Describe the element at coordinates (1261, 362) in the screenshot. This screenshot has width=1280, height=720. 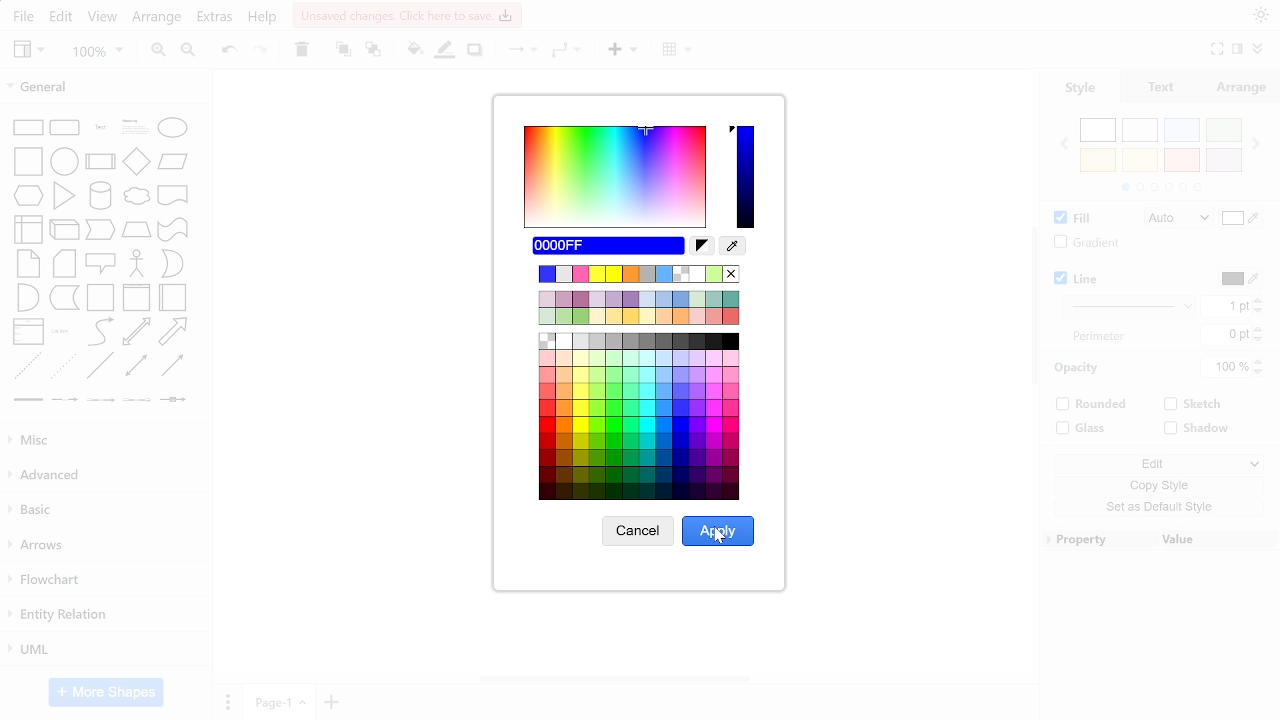
I see `increase opacity` at that location.